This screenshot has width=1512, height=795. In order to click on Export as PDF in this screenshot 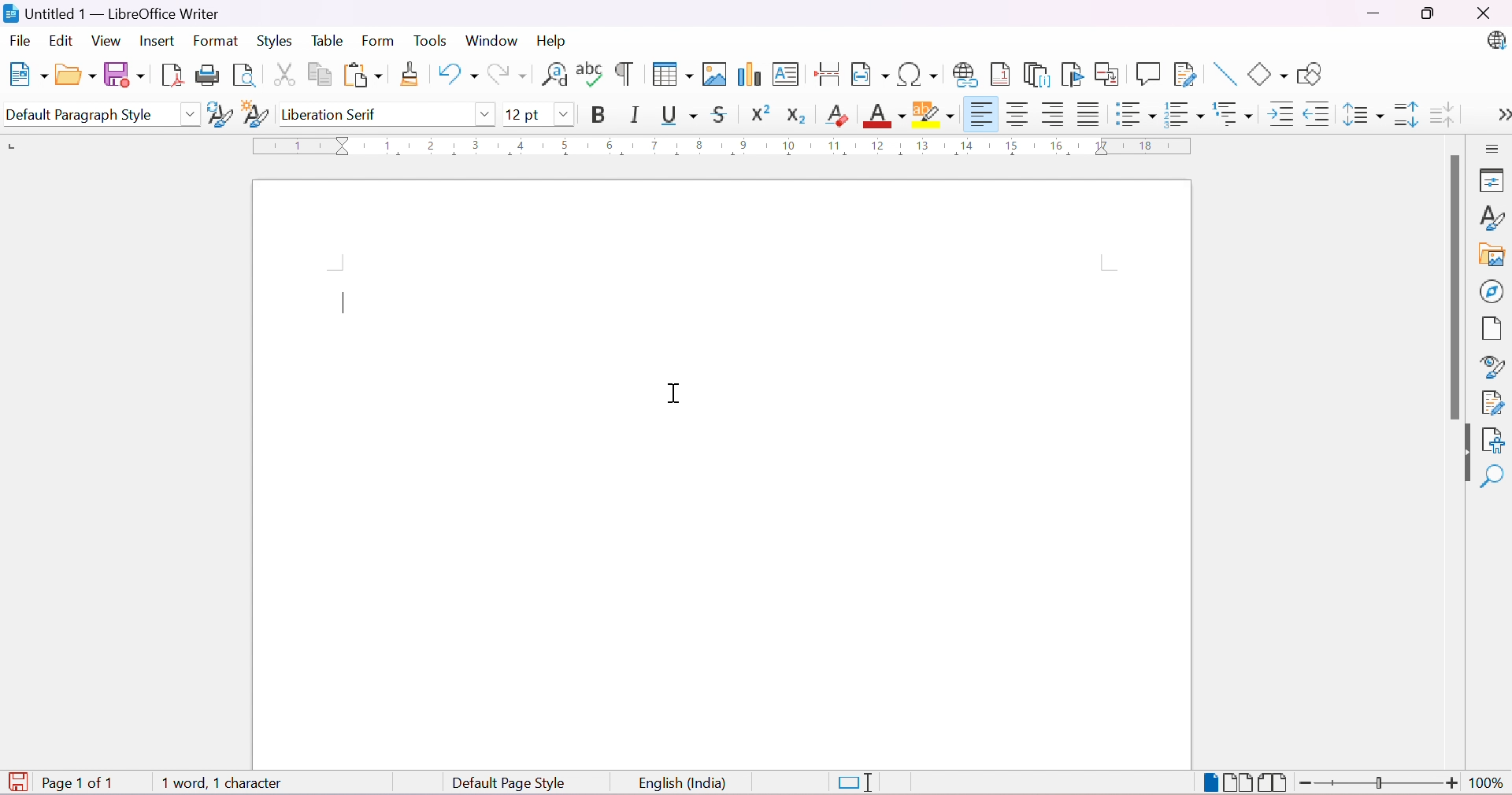, I will do `click(169, 77)`.